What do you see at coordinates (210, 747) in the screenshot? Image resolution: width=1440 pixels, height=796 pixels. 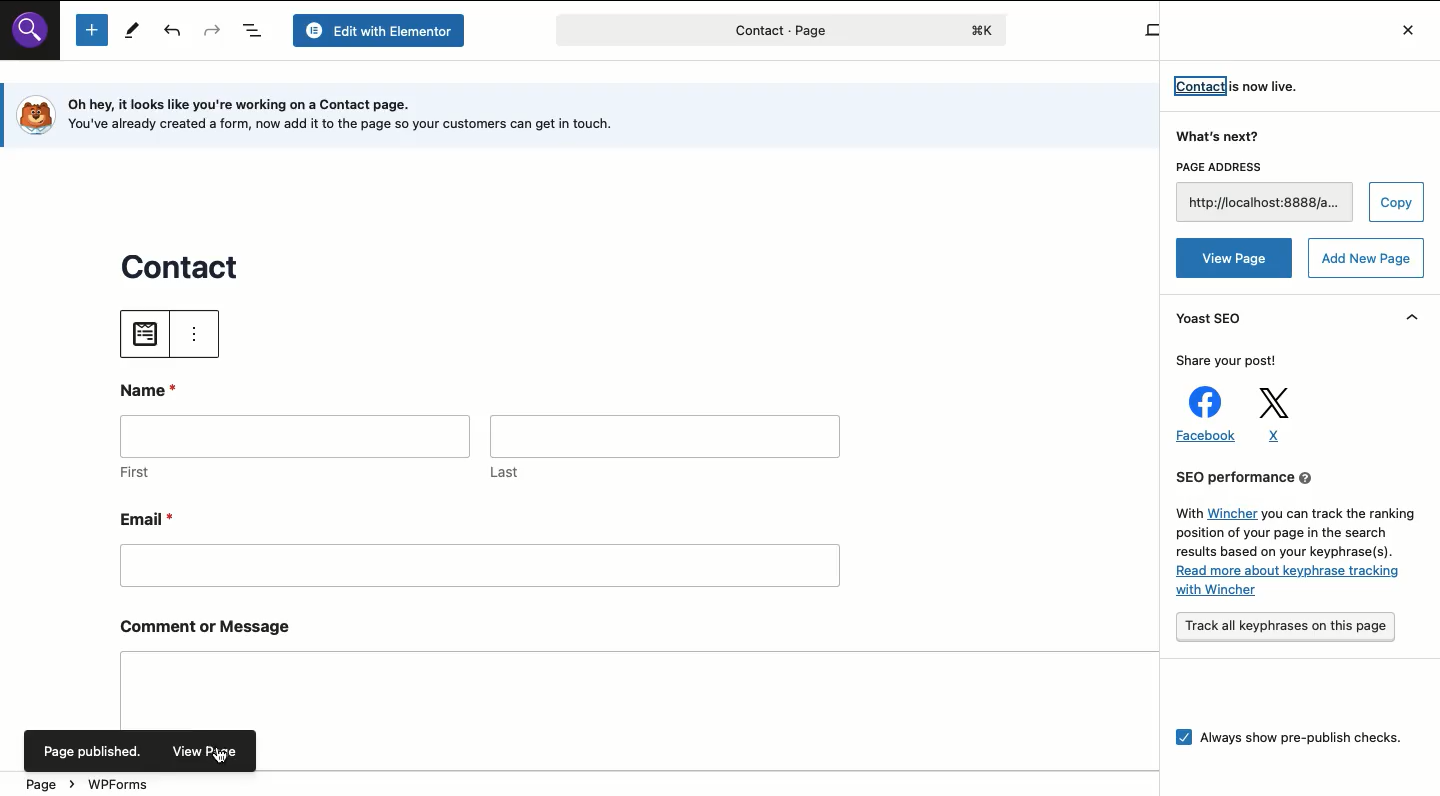 I see `Click view page` at bounding box center [210, 747].